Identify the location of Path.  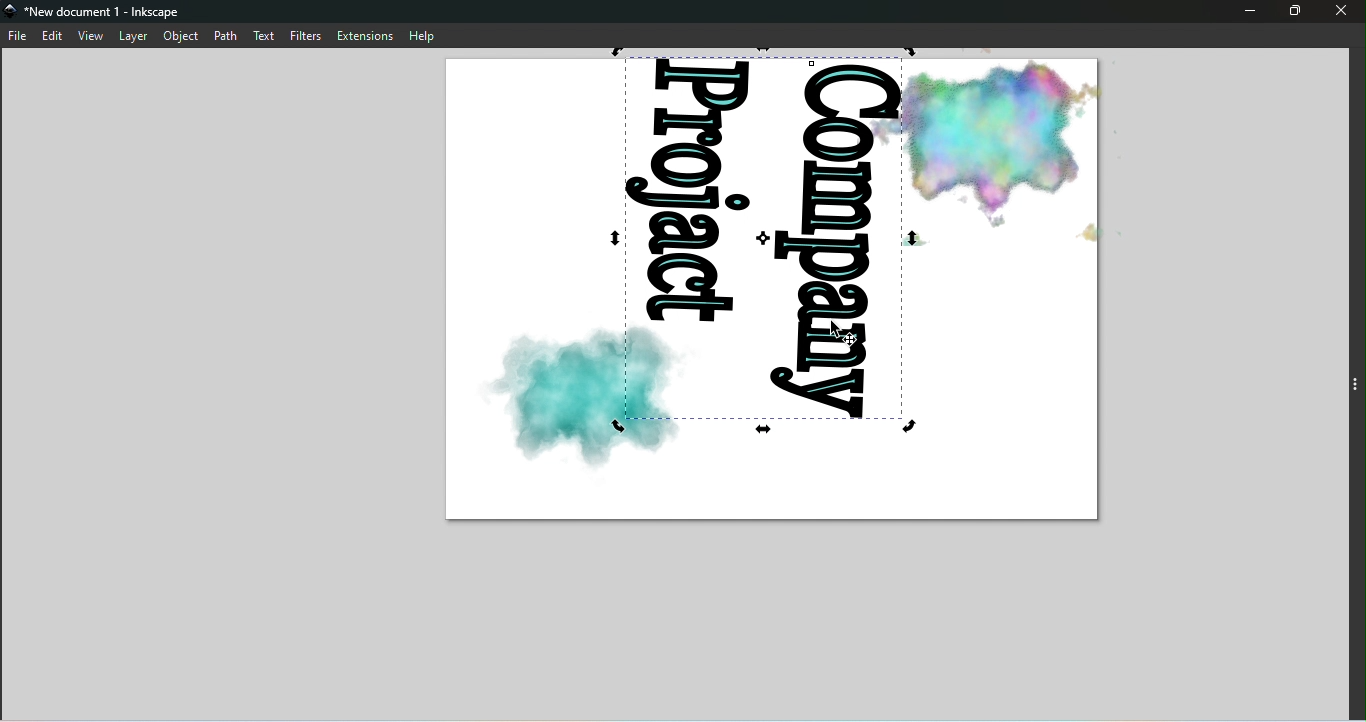
(227, 35).